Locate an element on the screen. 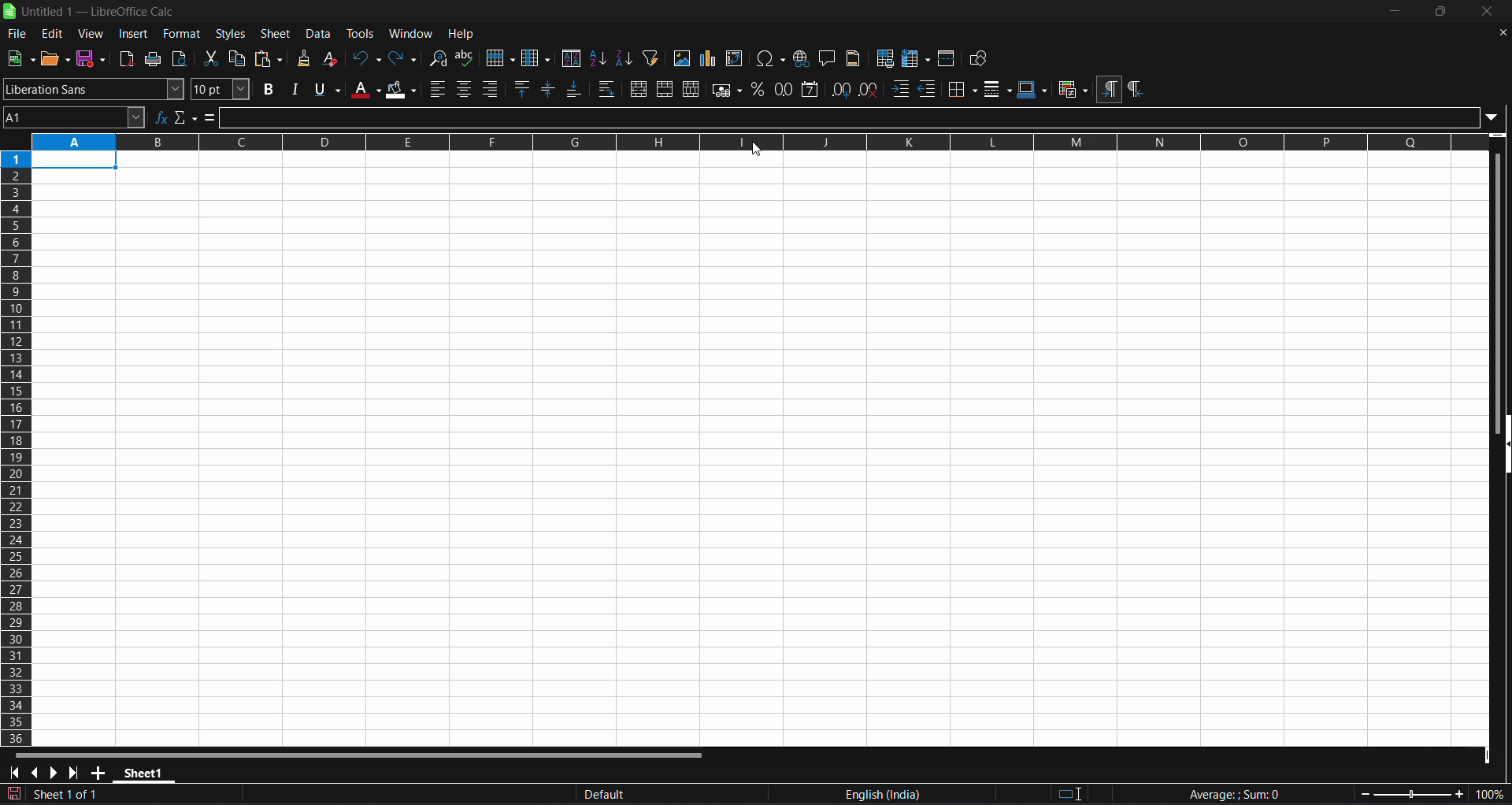 The width and height of the screenshot is (1512, 805). format is located at coordinates (182, 33).